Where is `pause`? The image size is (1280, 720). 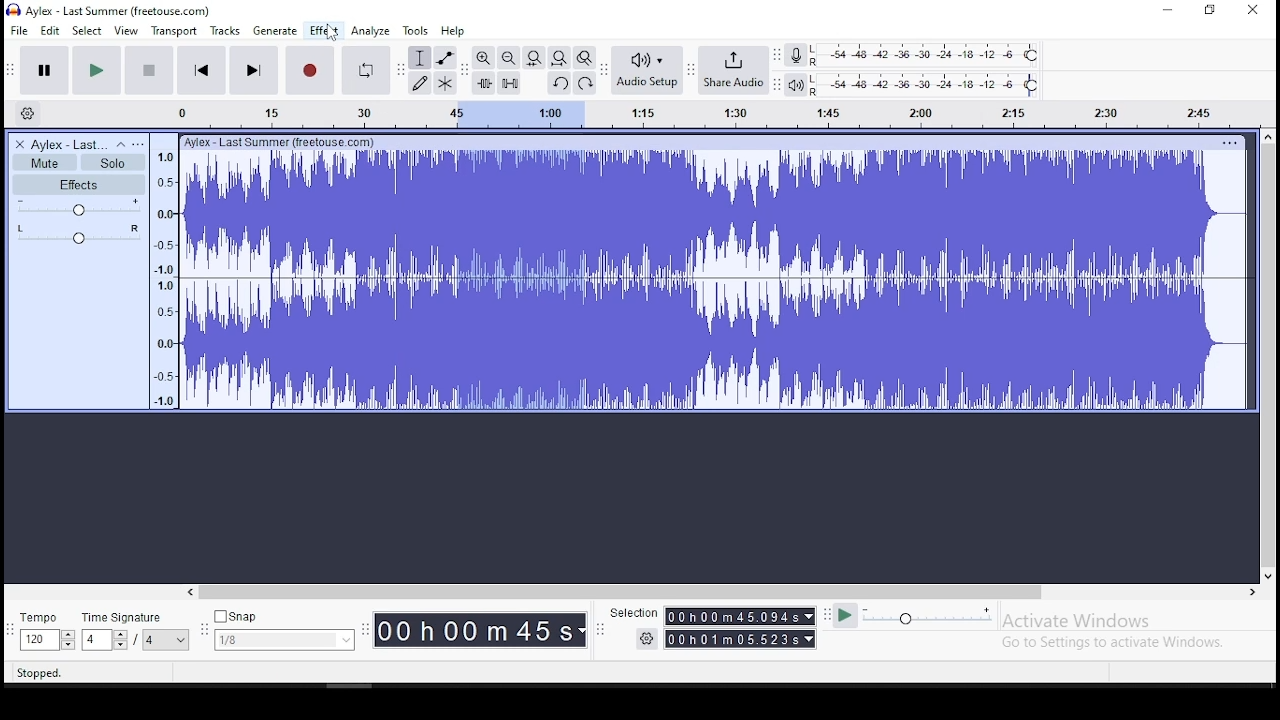 pause is located at coordinates (42, 70).